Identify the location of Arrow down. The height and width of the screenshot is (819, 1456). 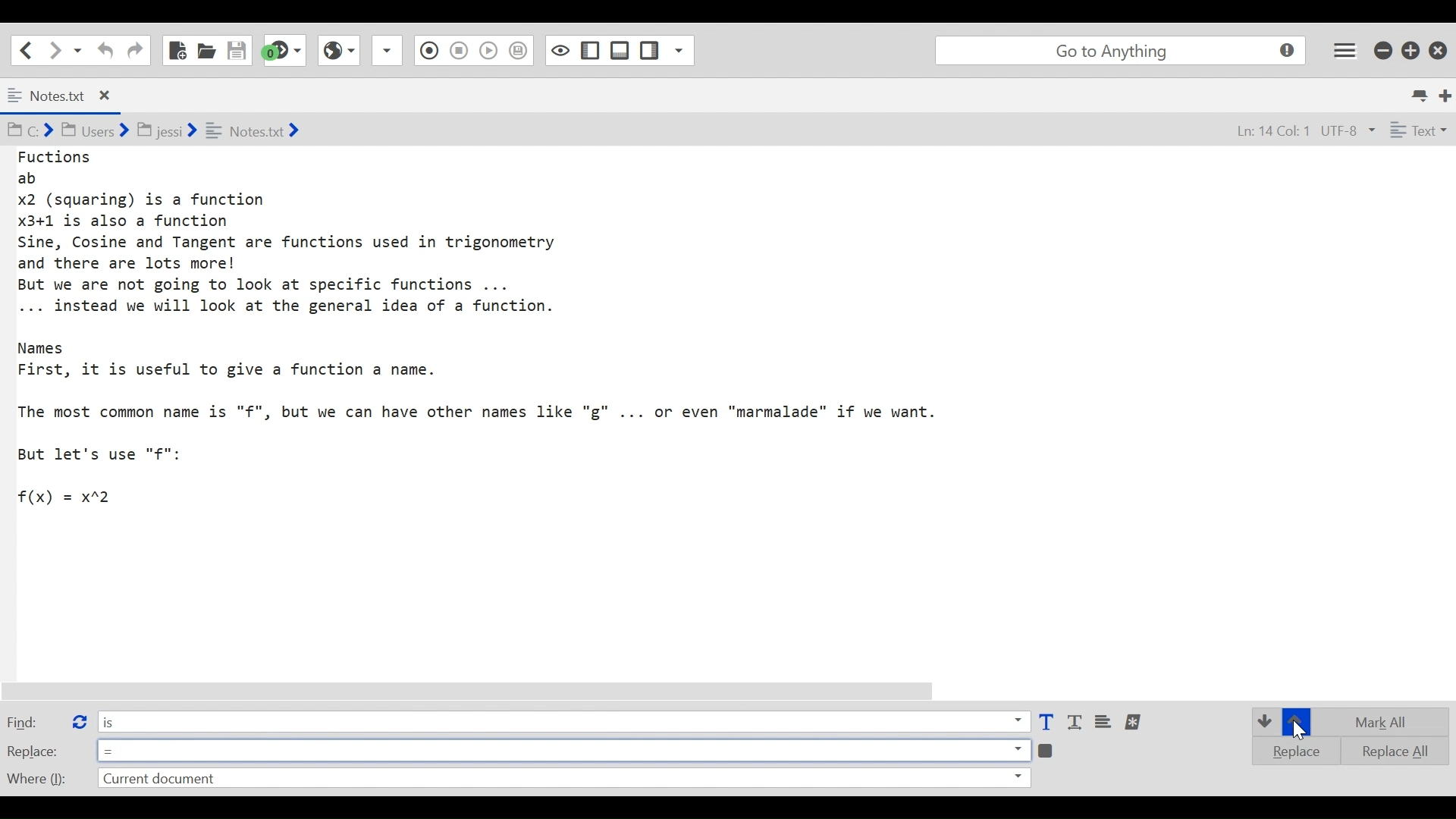
(1263, 720).